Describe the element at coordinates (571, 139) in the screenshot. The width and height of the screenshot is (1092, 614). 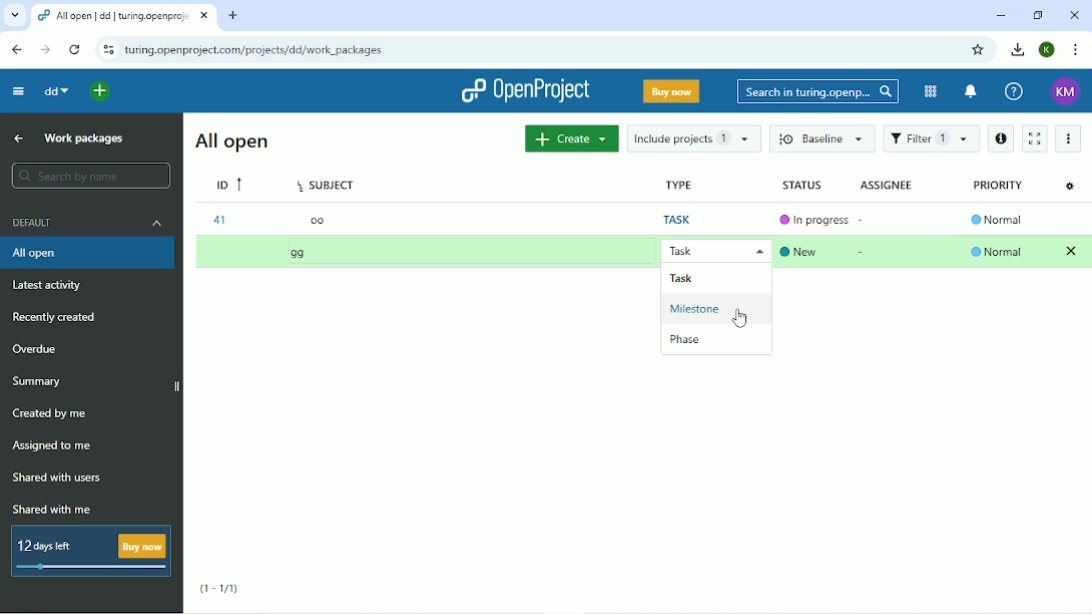
I see `Create` at that location.